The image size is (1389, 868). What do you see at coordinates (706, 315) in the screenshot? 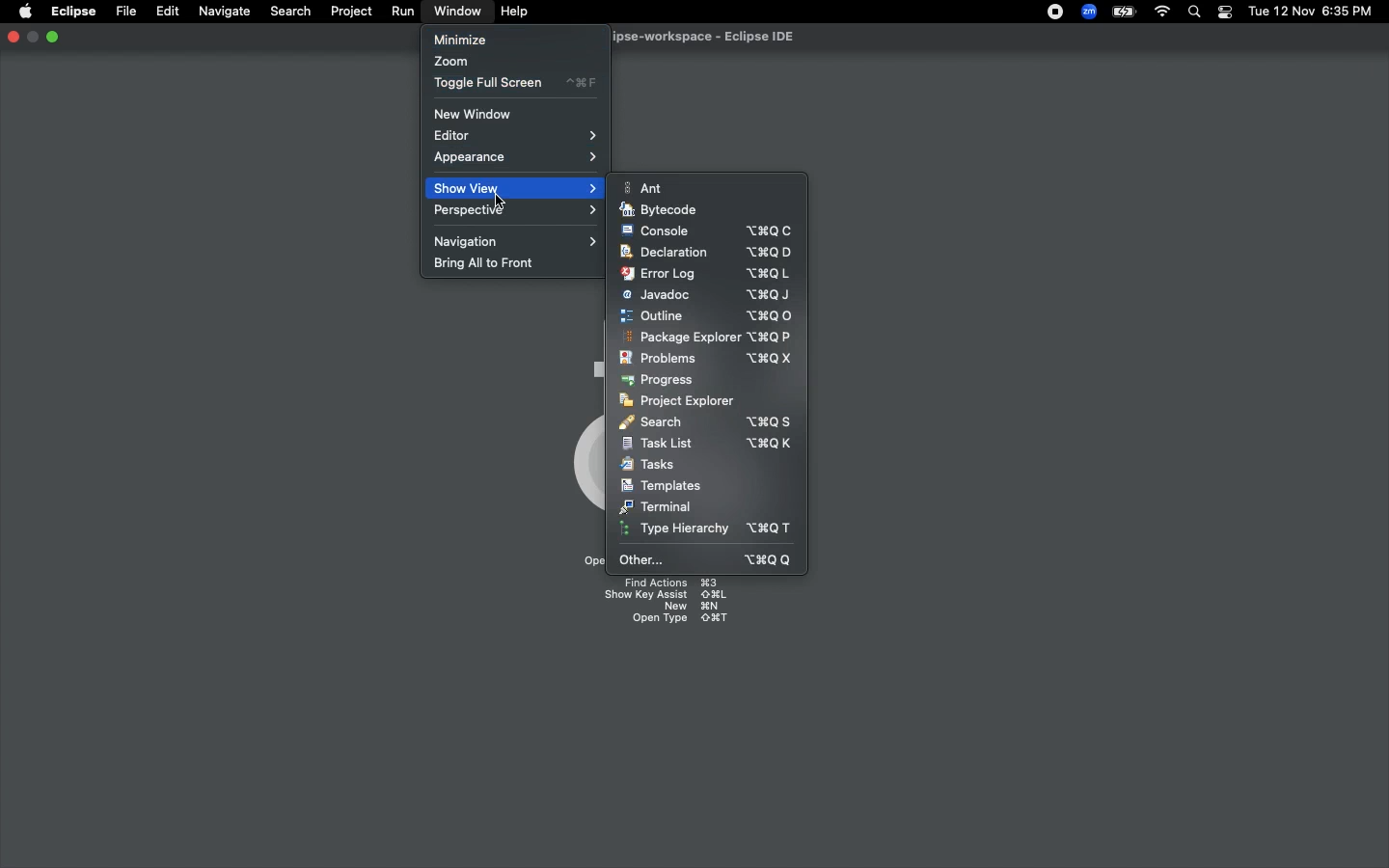
I see `Outline` at bounding box center [706, 315].